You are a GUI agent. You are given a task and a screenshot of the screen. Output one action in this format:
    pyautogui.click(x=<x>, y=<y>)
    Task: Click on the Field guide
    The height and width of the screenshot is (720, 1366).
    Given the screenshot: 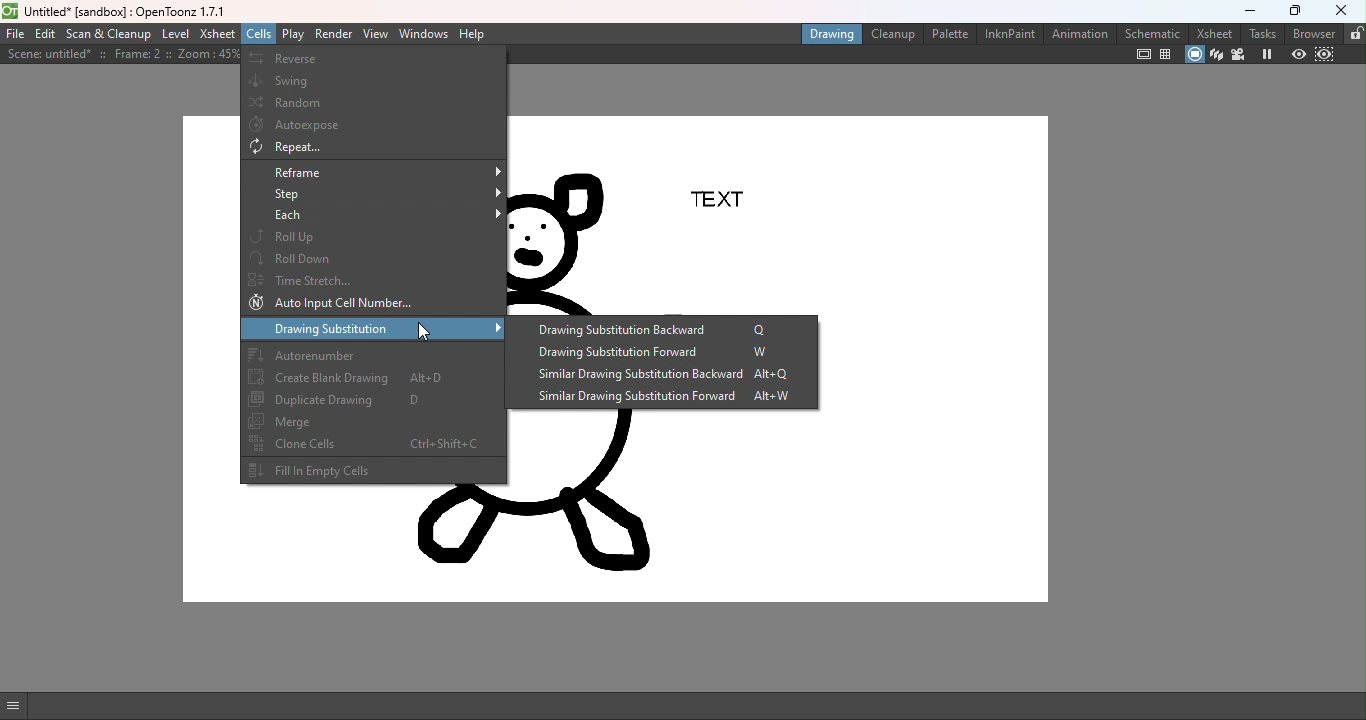 What is the action you would take?
    pyautogui.click(x=1165, y=53)
    